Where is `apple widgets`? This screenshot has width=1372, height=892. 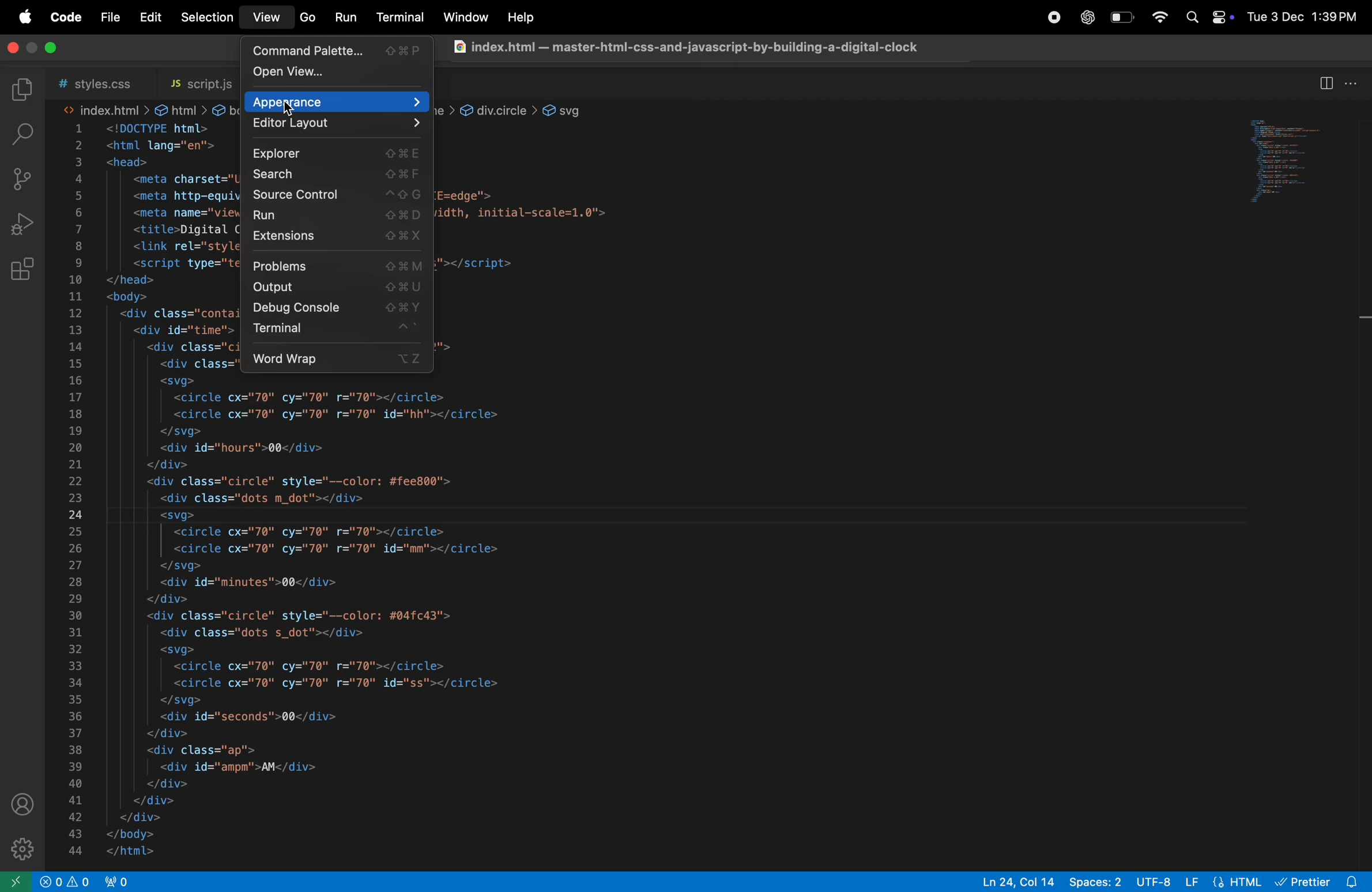
apple widgets is located at coordinates (1207, 16).